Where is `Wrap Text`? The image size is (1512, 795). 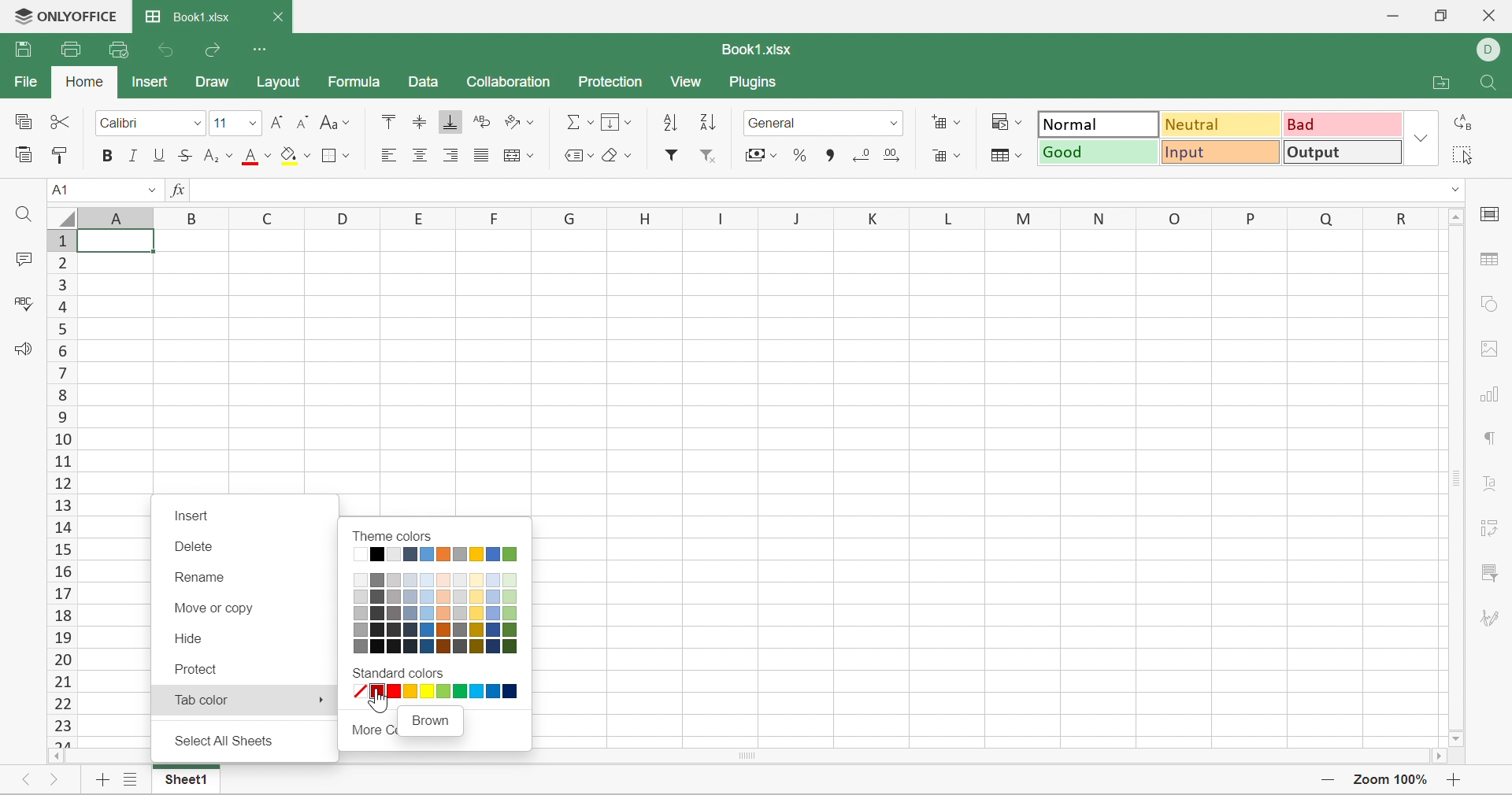 Wrap Text is located at coordinates (479, 123).